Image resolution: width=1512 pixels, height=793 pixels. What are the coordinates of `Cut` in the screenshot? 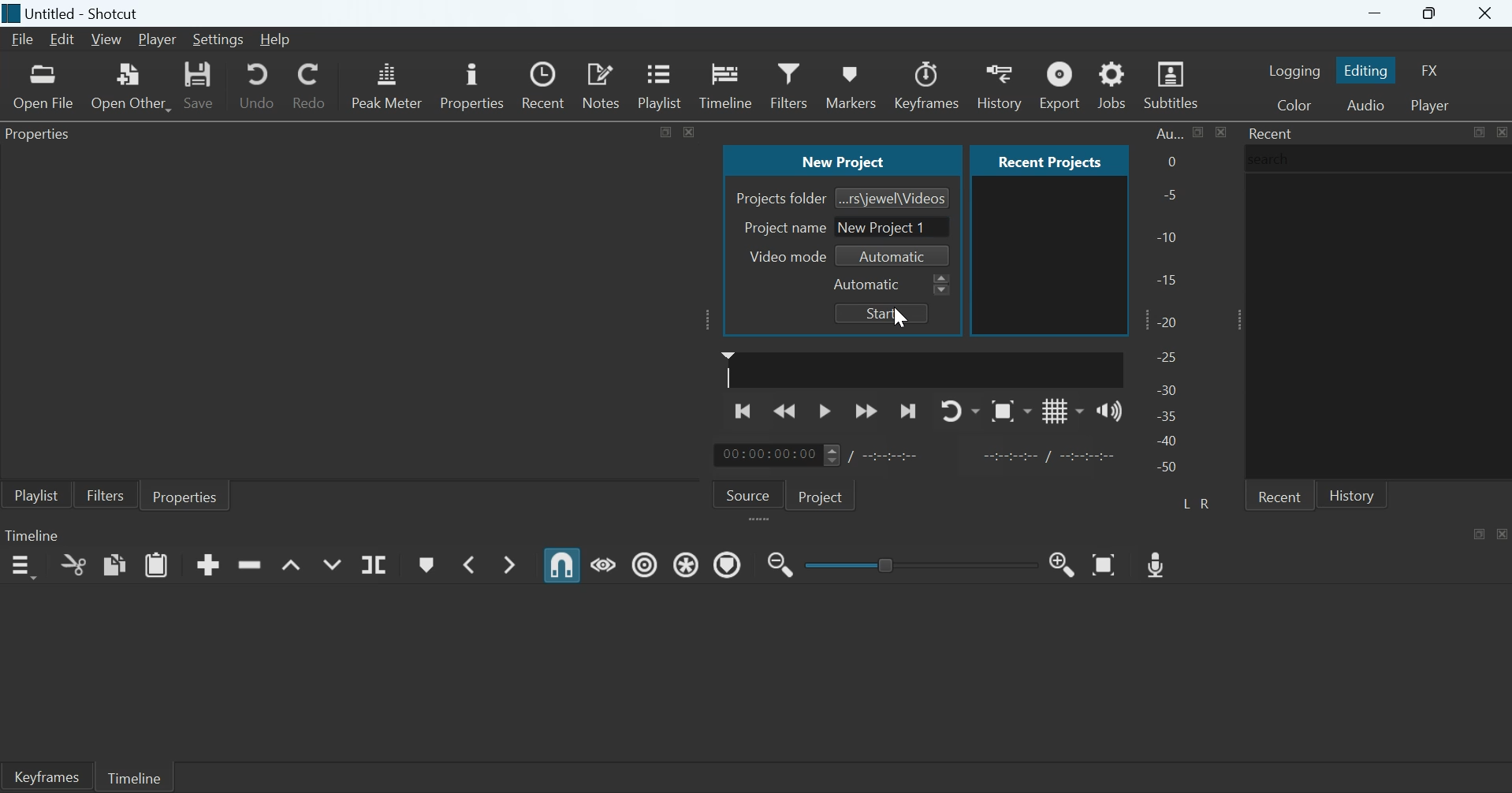 It's located at (73, 564).